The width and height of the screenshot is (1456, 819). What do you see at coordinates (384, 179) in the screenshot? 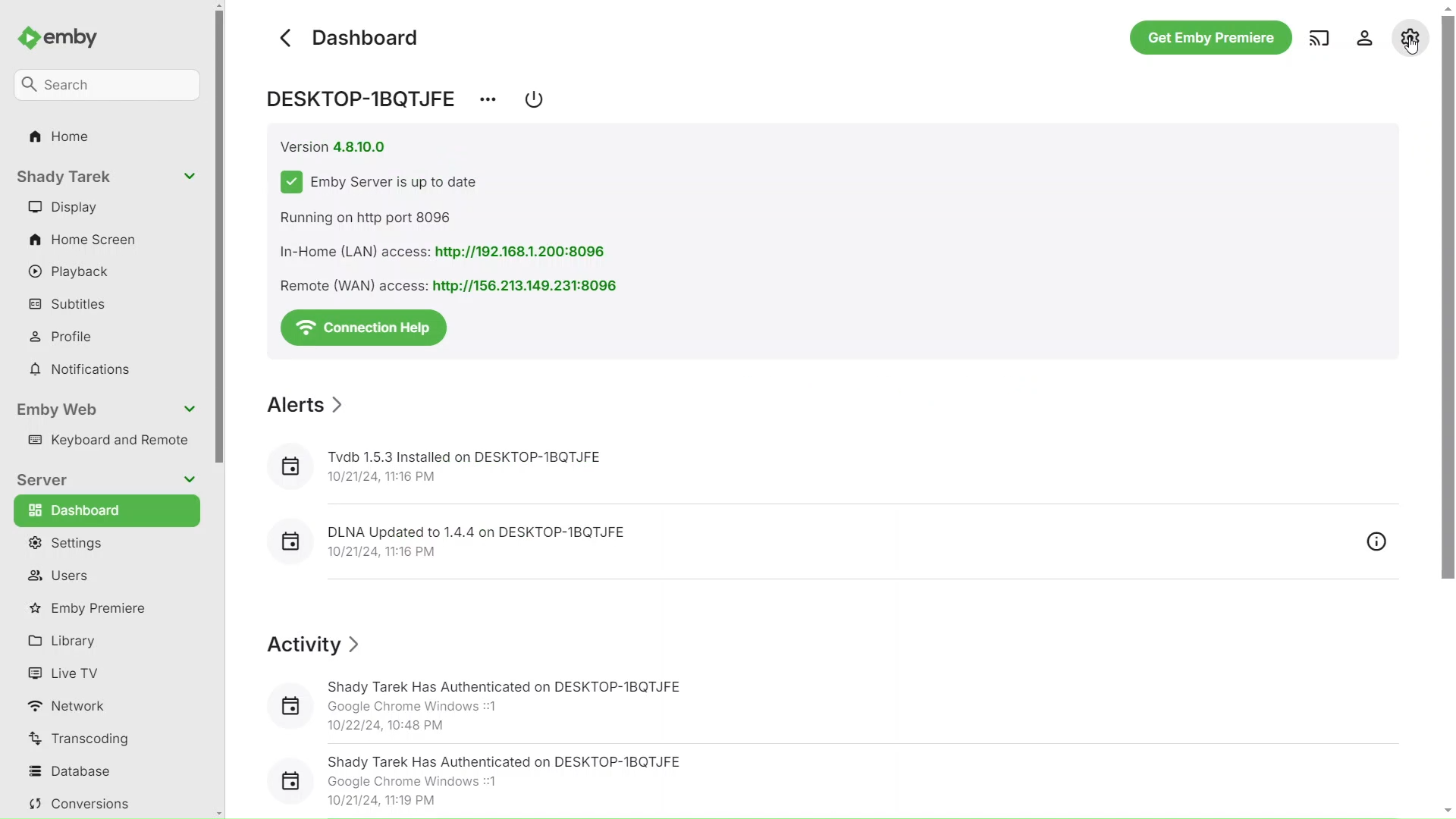
I see `Emby Server is up to date` at bounding box center [384, 179].